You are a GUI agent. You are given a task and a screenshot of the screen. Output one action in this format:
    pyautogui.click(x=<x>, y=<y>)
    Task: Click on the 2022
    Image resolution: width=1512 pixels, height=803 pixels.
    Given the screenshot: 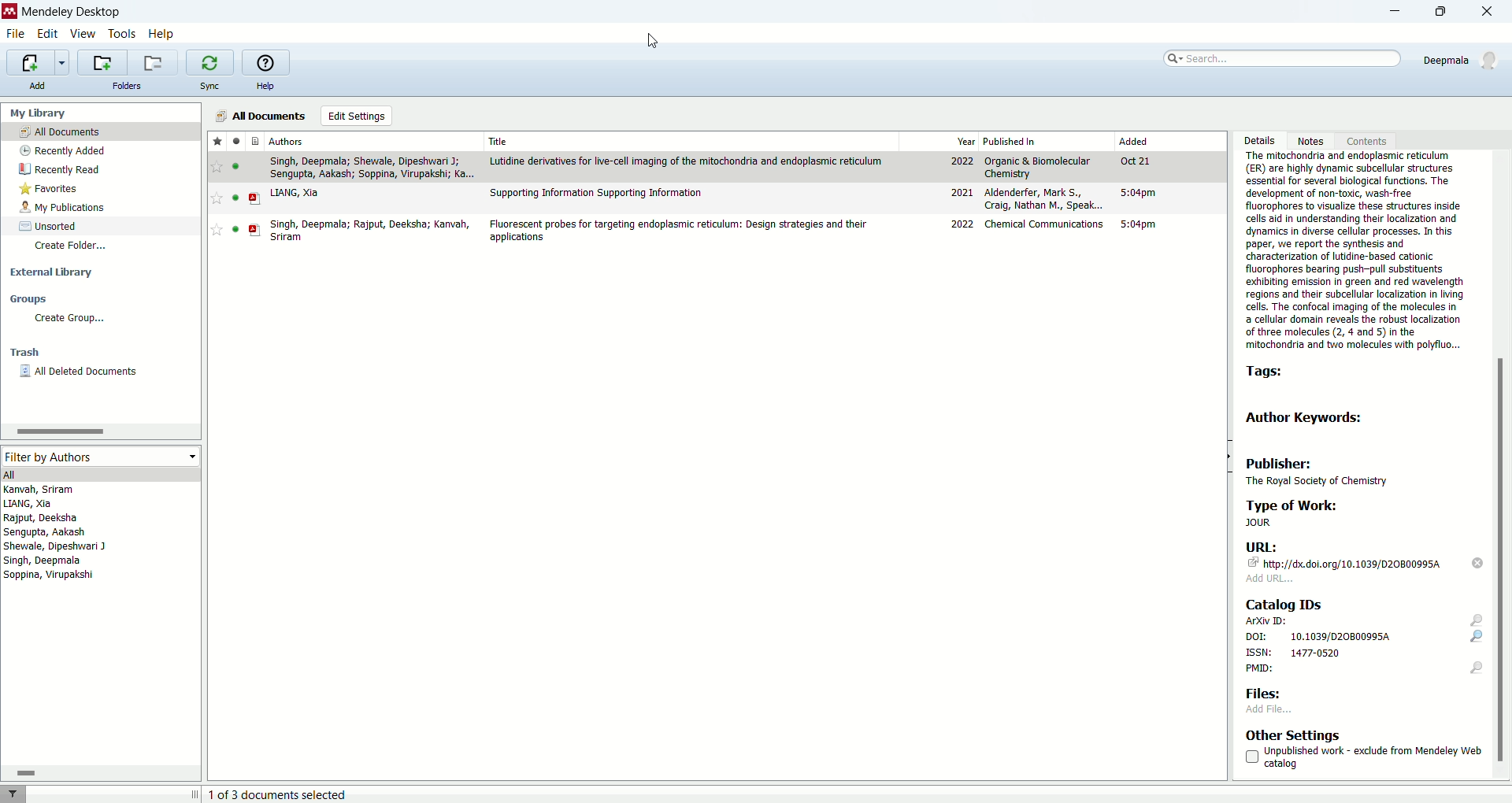 What is the action you would take?
    pyautogui.click(x=962, y=161)
    